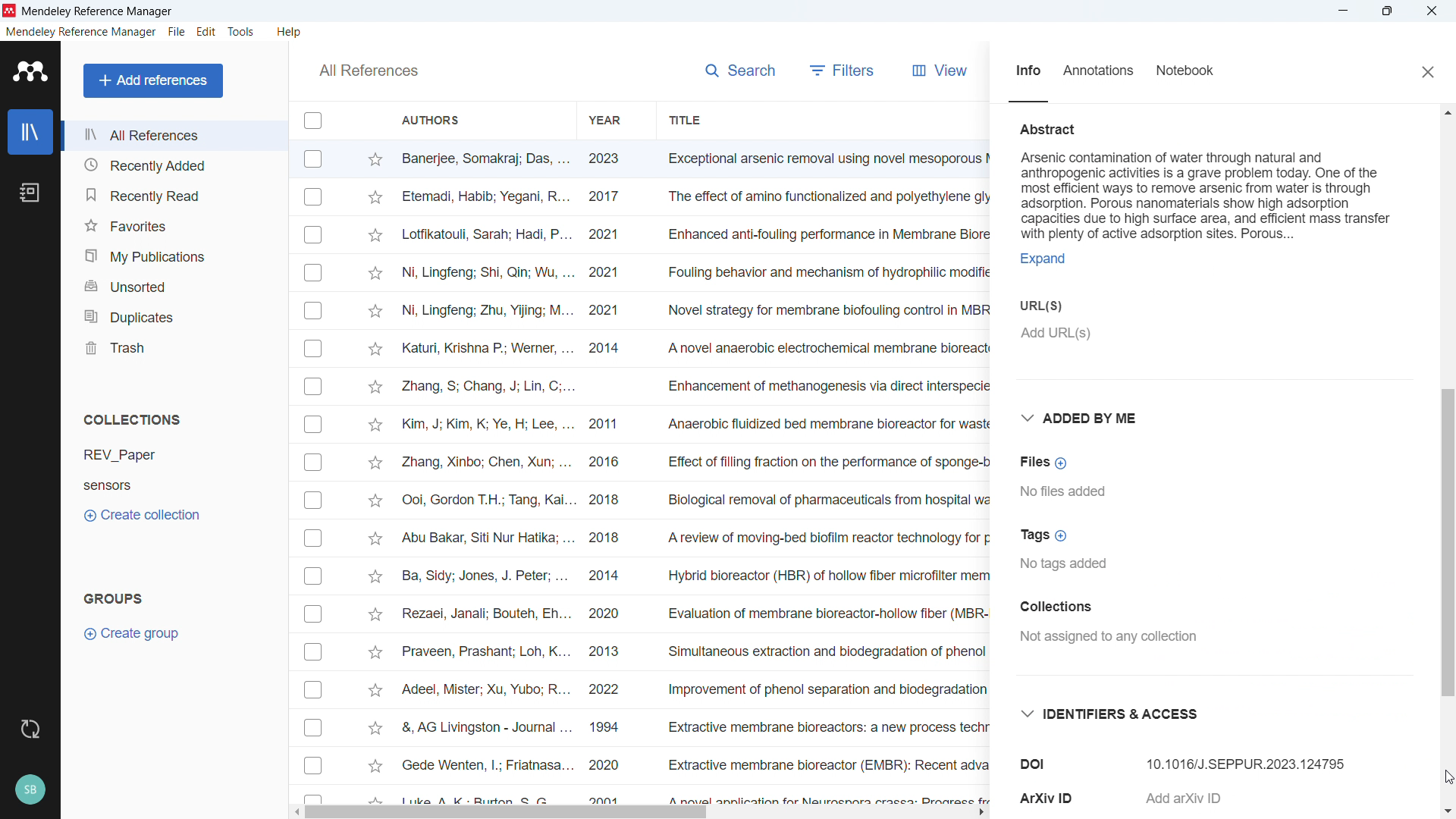 The height and width of the screenshot is (819, 1456). I want to click on 2020, so click(604, 767).